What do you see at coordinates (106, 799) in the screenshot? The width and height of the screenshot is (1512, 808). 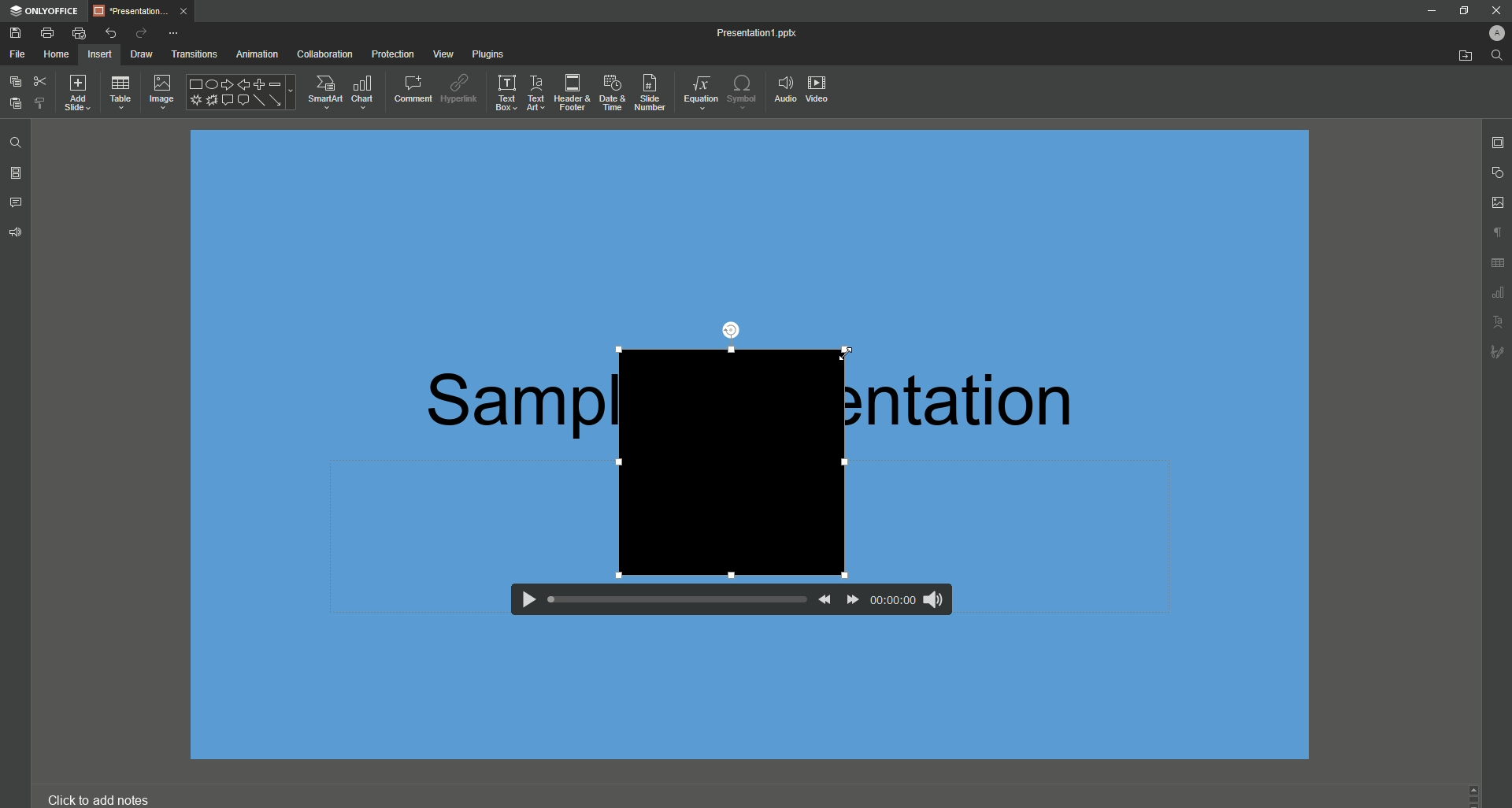 I see `Click to add notes` at bounding box center [106, 799].